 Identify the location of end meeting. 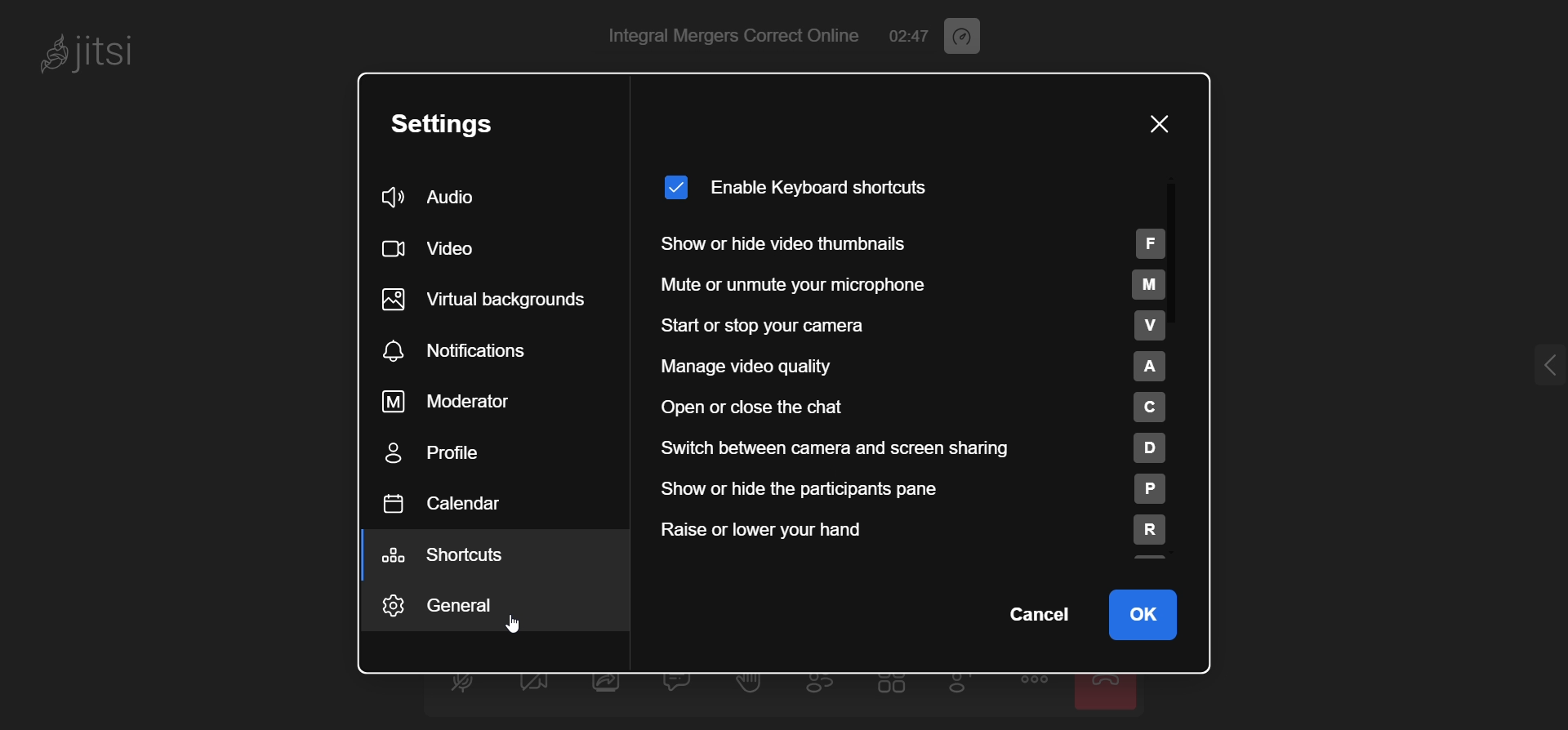
(1106, 688).